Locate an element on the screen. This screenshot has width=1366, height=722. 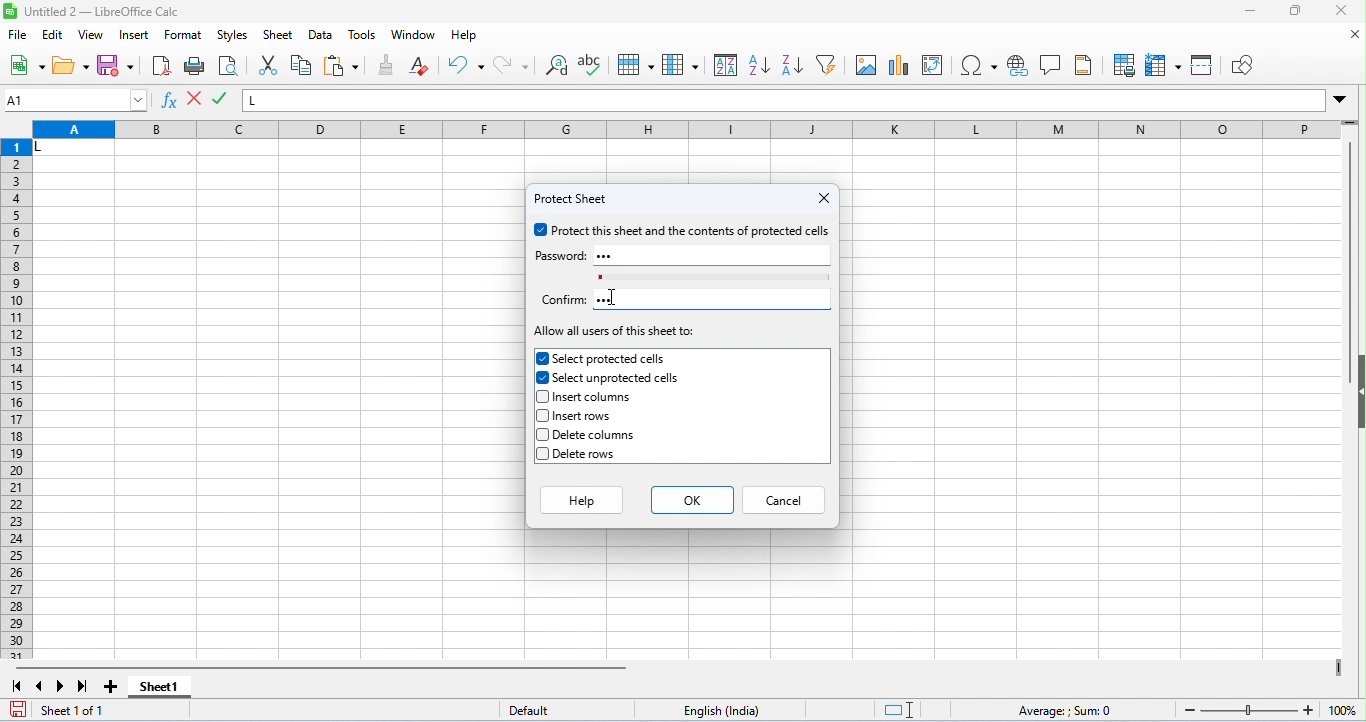
accept is located at coordinates (196, 100).